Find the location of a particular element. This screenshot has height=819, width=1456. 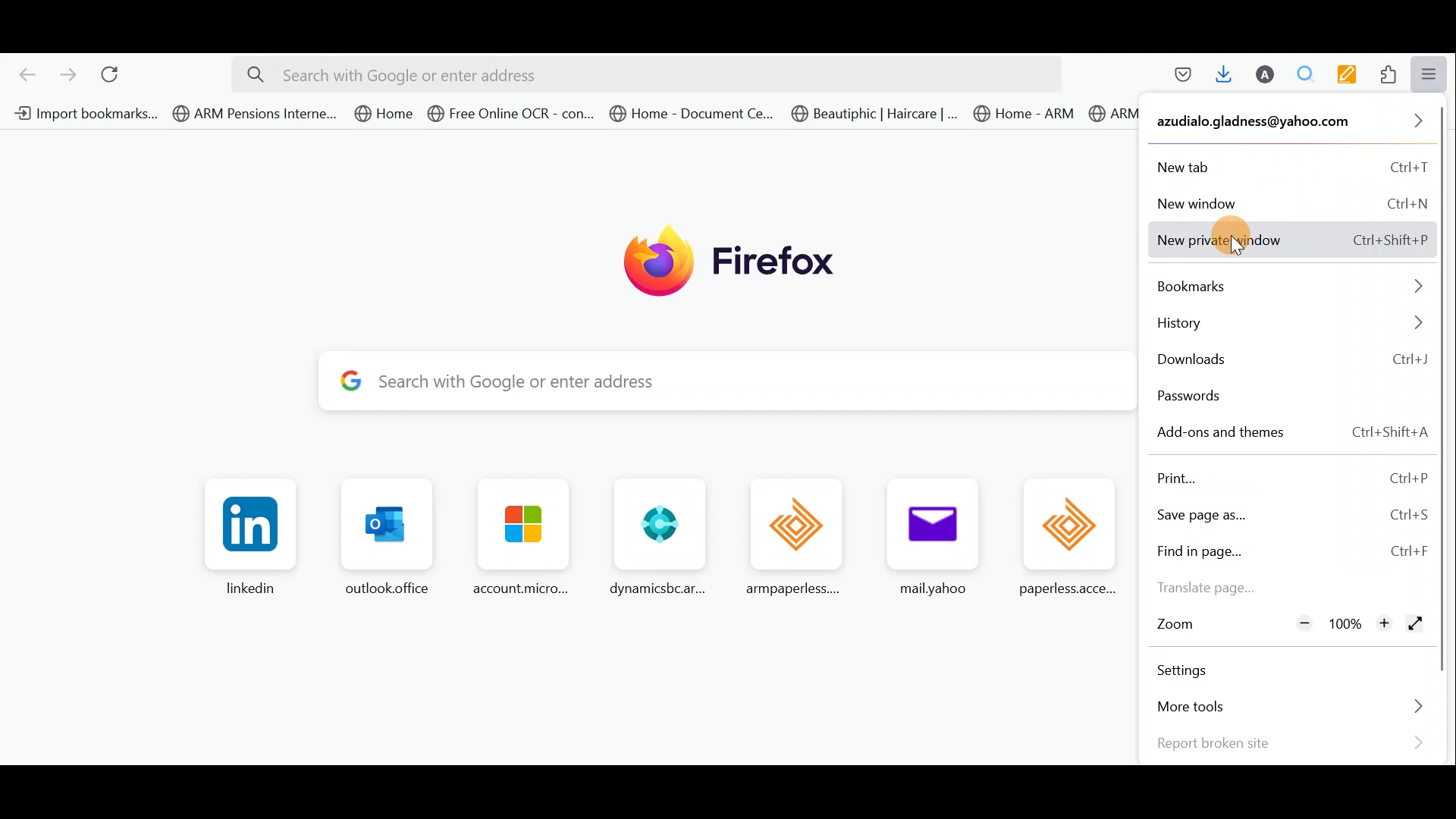

Bookmarks is located at coordinates (1291, 286).